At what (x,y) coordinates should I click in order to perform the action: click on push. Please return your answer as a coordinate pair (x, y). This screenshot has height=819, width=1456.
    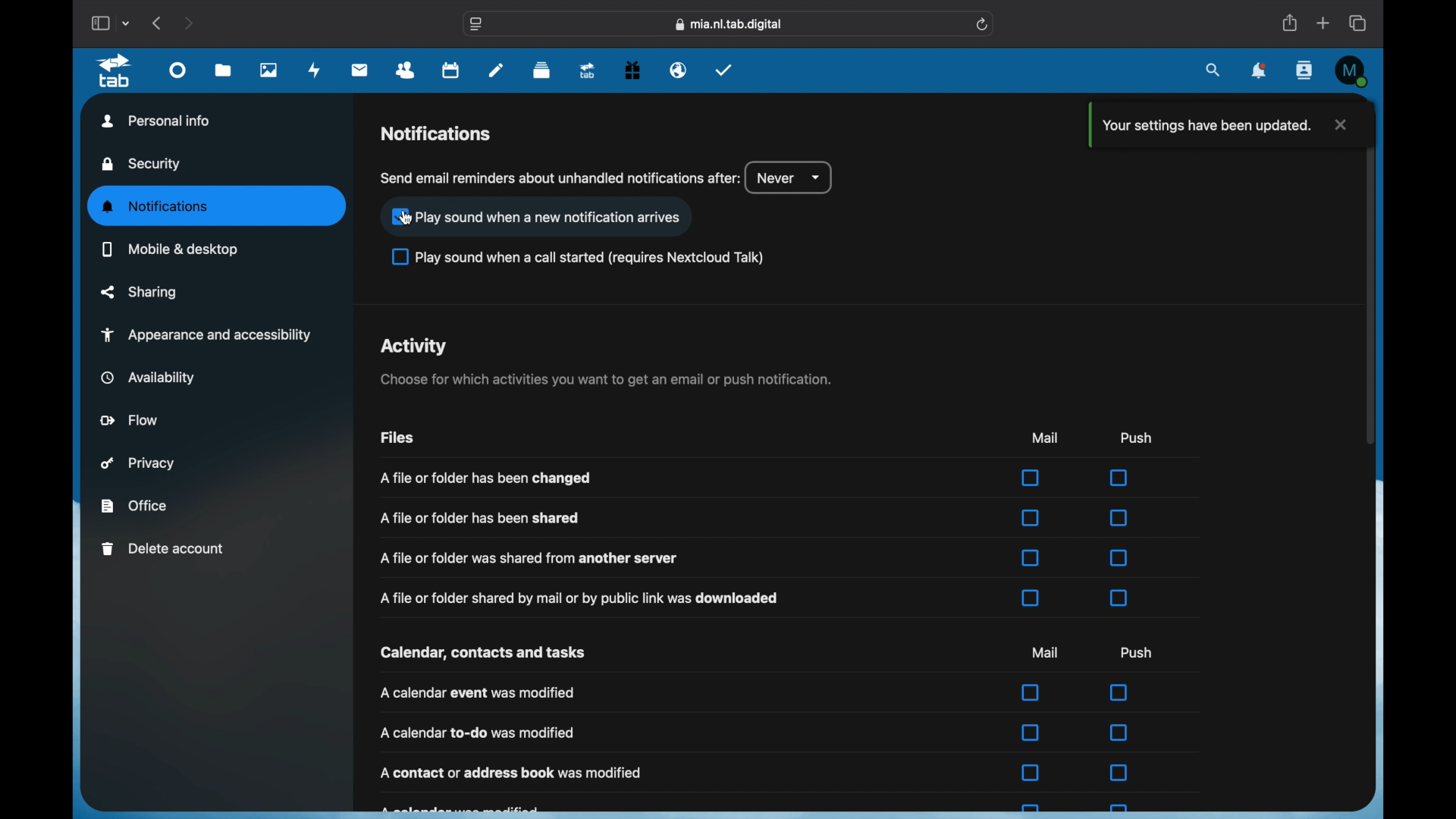
    Looking at the image, I should click on (1137, 652).